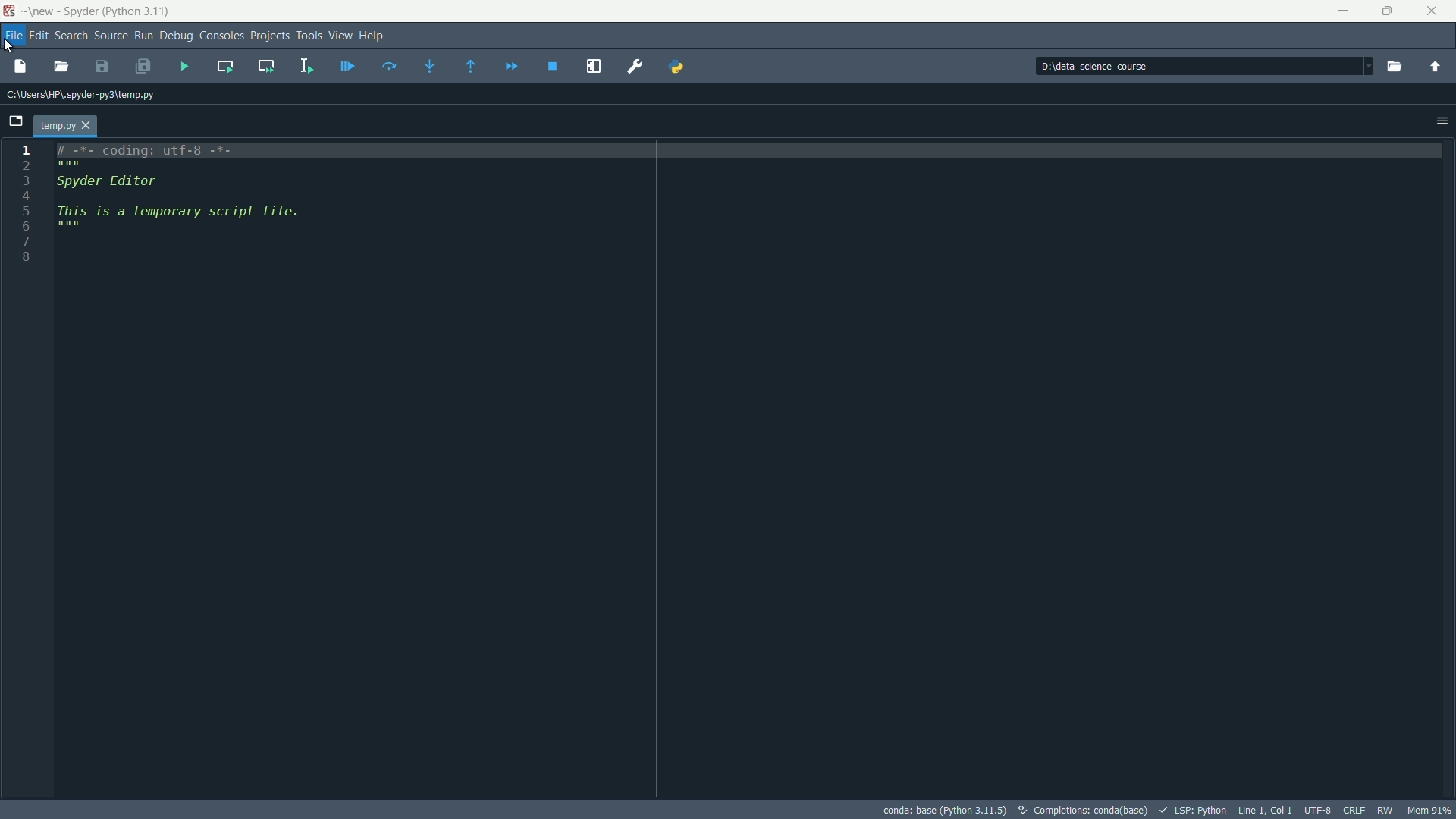 This screenshot has width=1456, height=819. What do you see at coordinates (39, 35) in the screenshot?
I see `edit menu` at bounding box center [39, 35].